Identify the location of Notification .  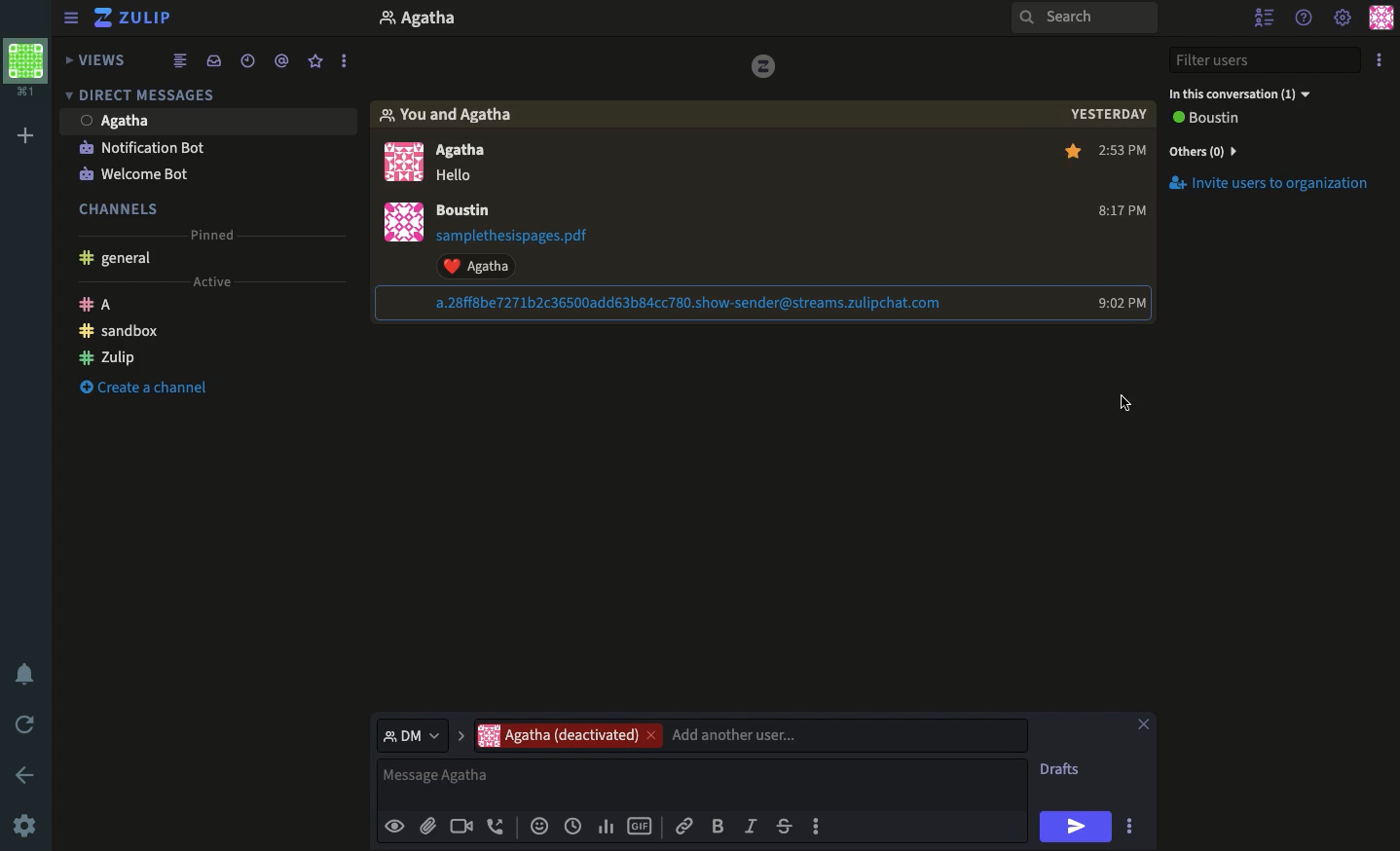
(30, 673).